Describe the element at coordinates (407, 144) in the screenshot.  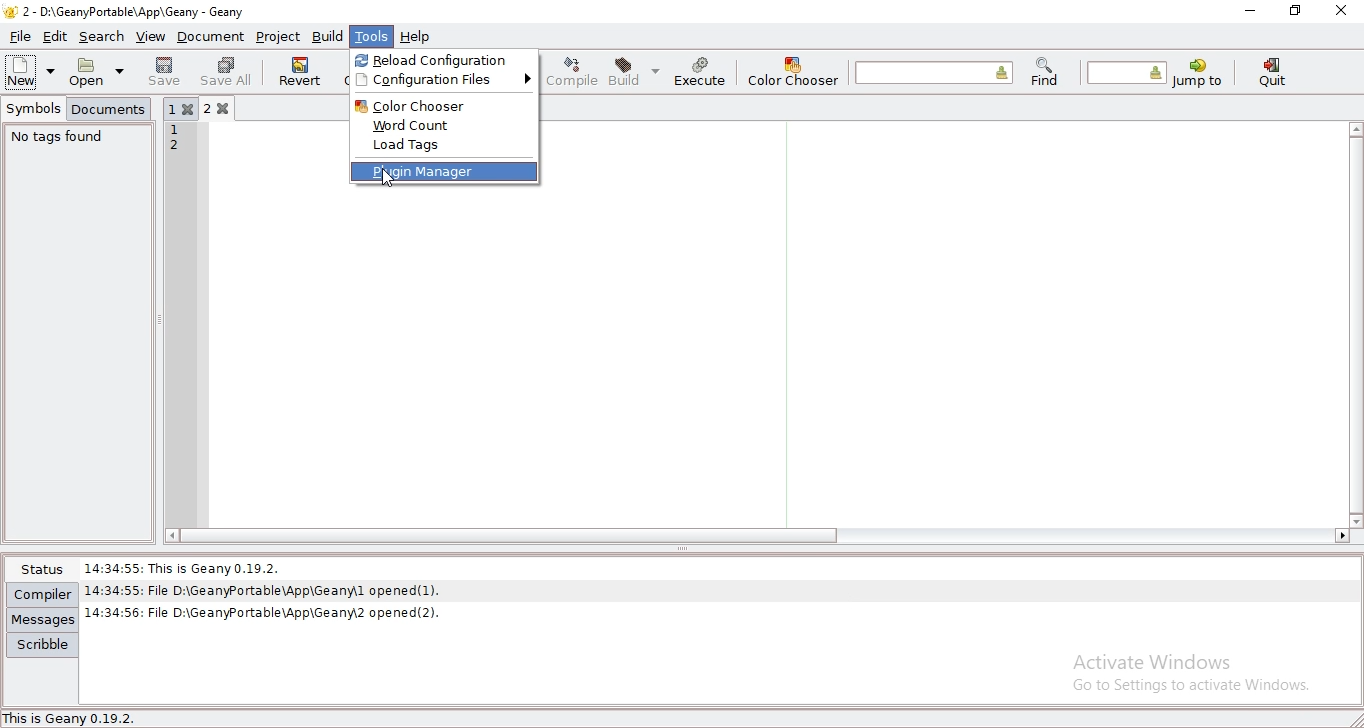
I see `load tags` at that location.